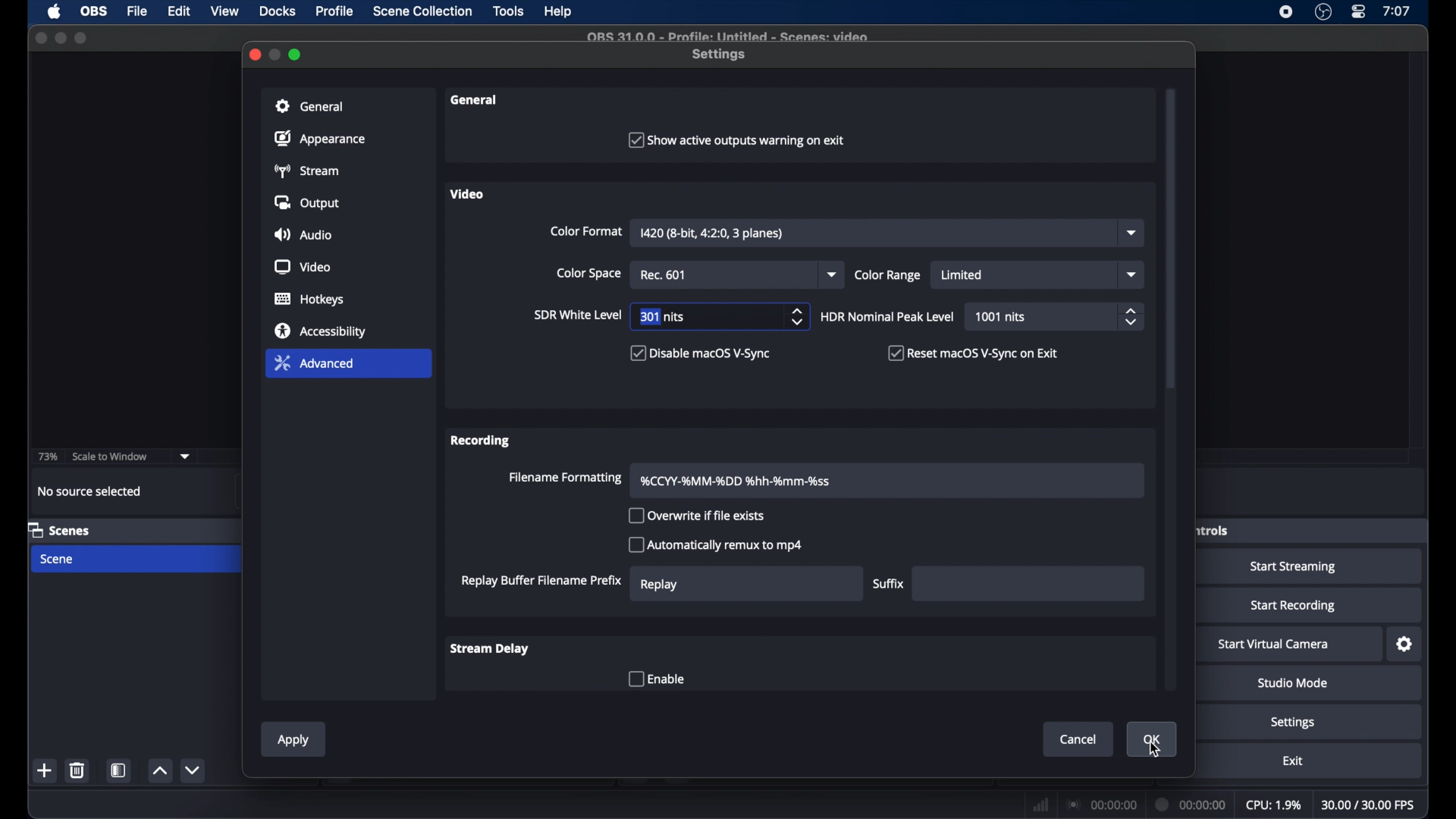 This screenshot has width=1456, height=819. I want to click on close, so click(40, 38).